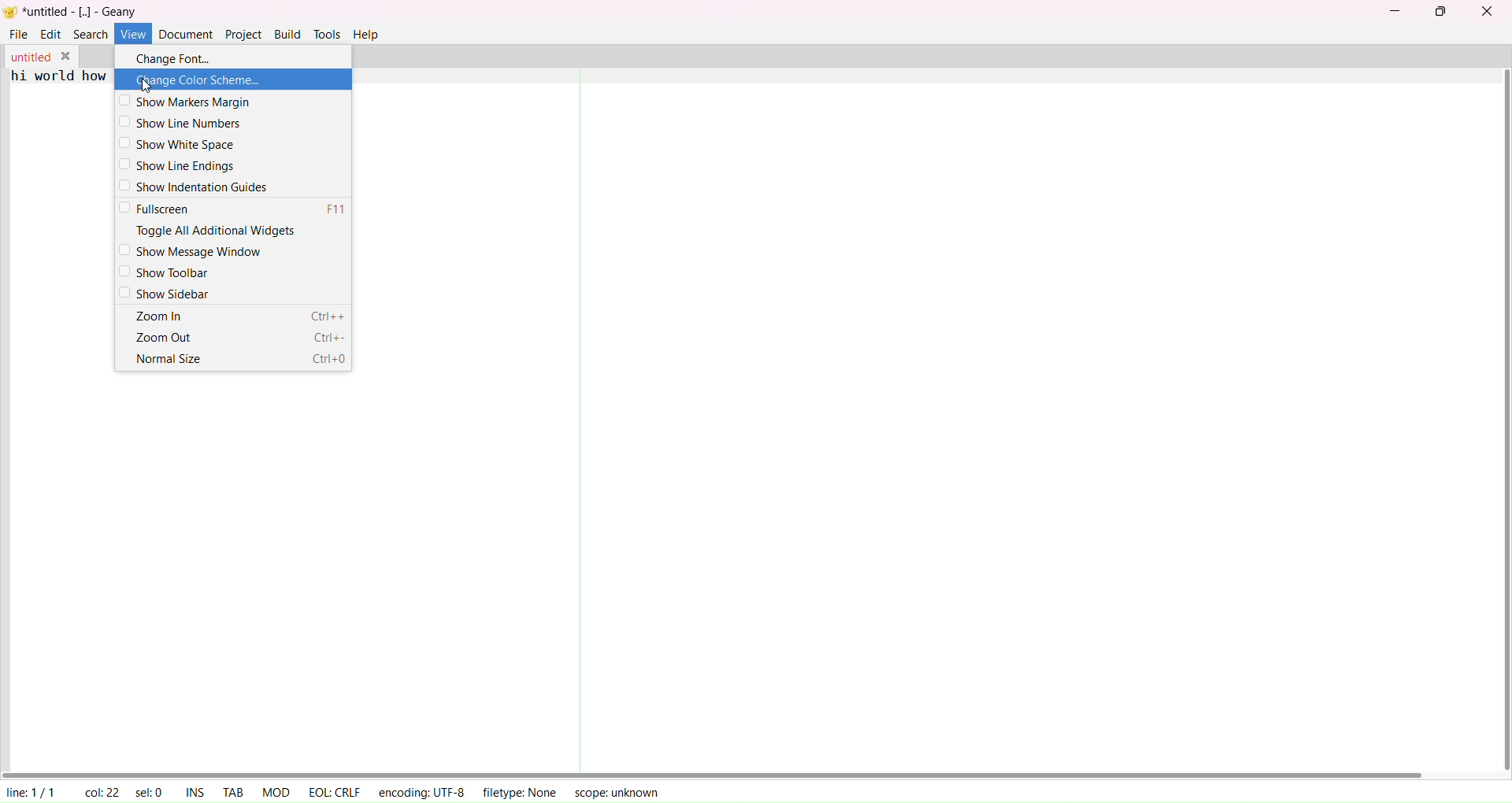 This screenshot has width=1512, height=803. Describe the element at coordinates (50, 34) in the screenshot. I see `edit` at that location.